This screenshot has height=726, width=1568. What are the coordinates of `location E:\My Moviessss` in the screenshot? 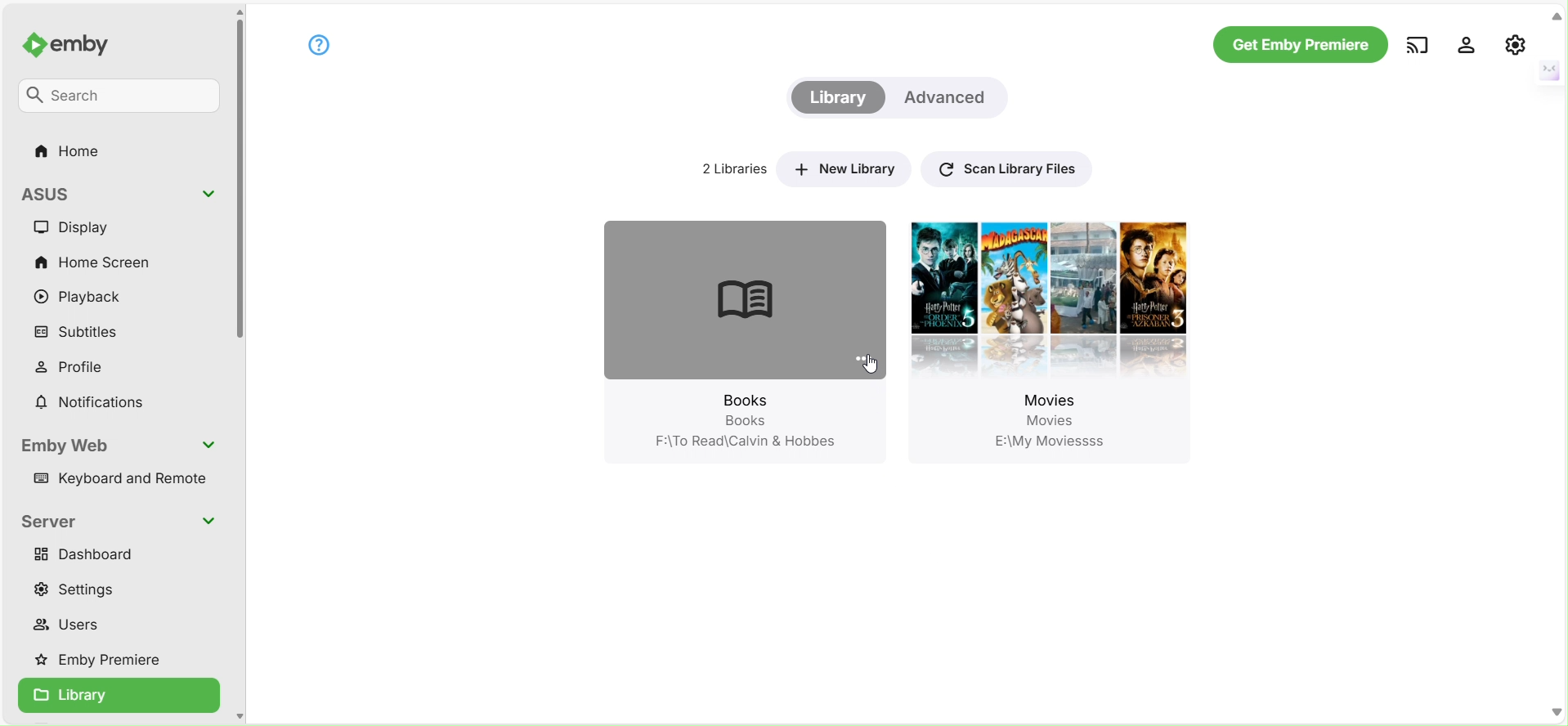 It's located at (1055, 442).